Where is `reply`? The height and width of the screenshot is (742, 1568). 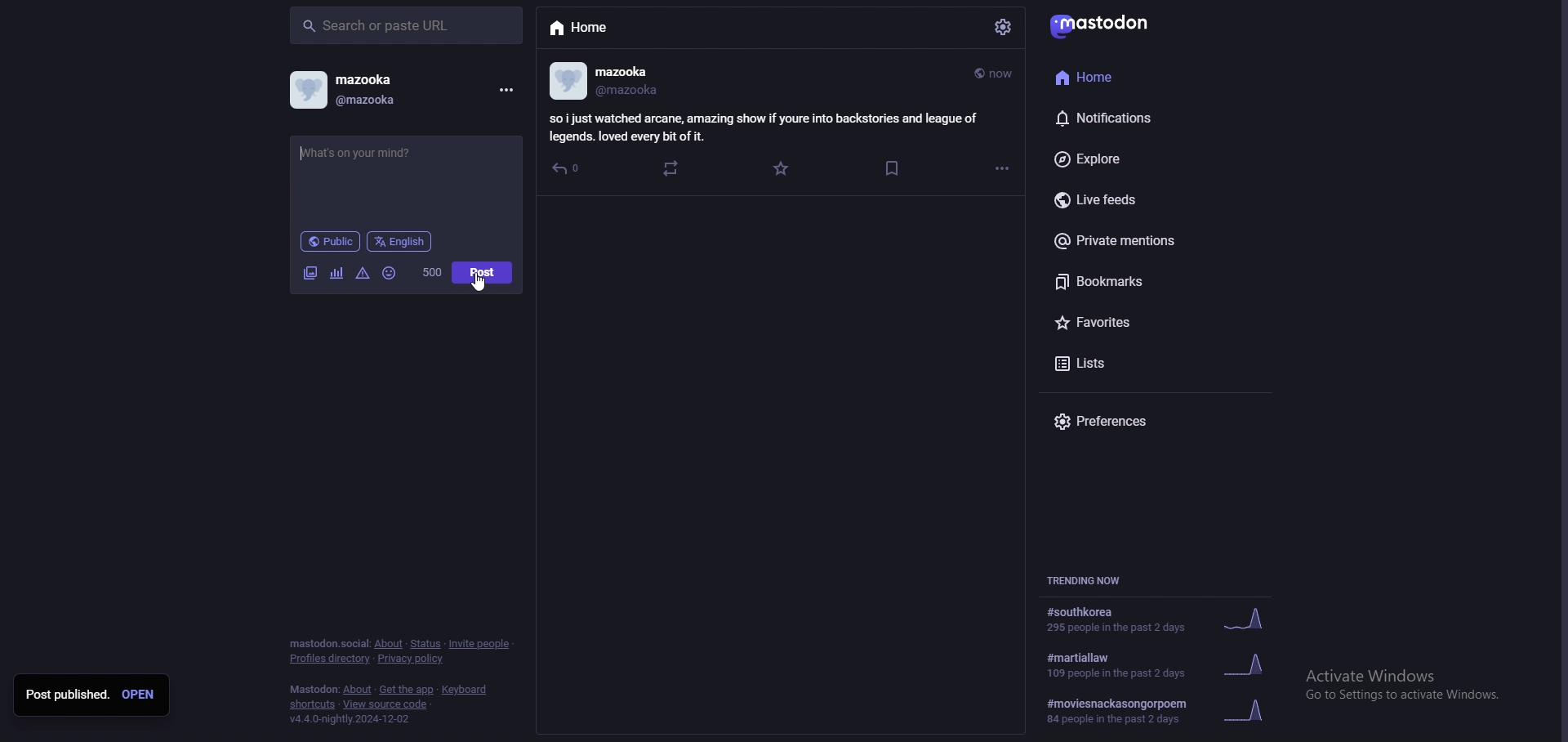 reply is located at coordinates (568, 169).